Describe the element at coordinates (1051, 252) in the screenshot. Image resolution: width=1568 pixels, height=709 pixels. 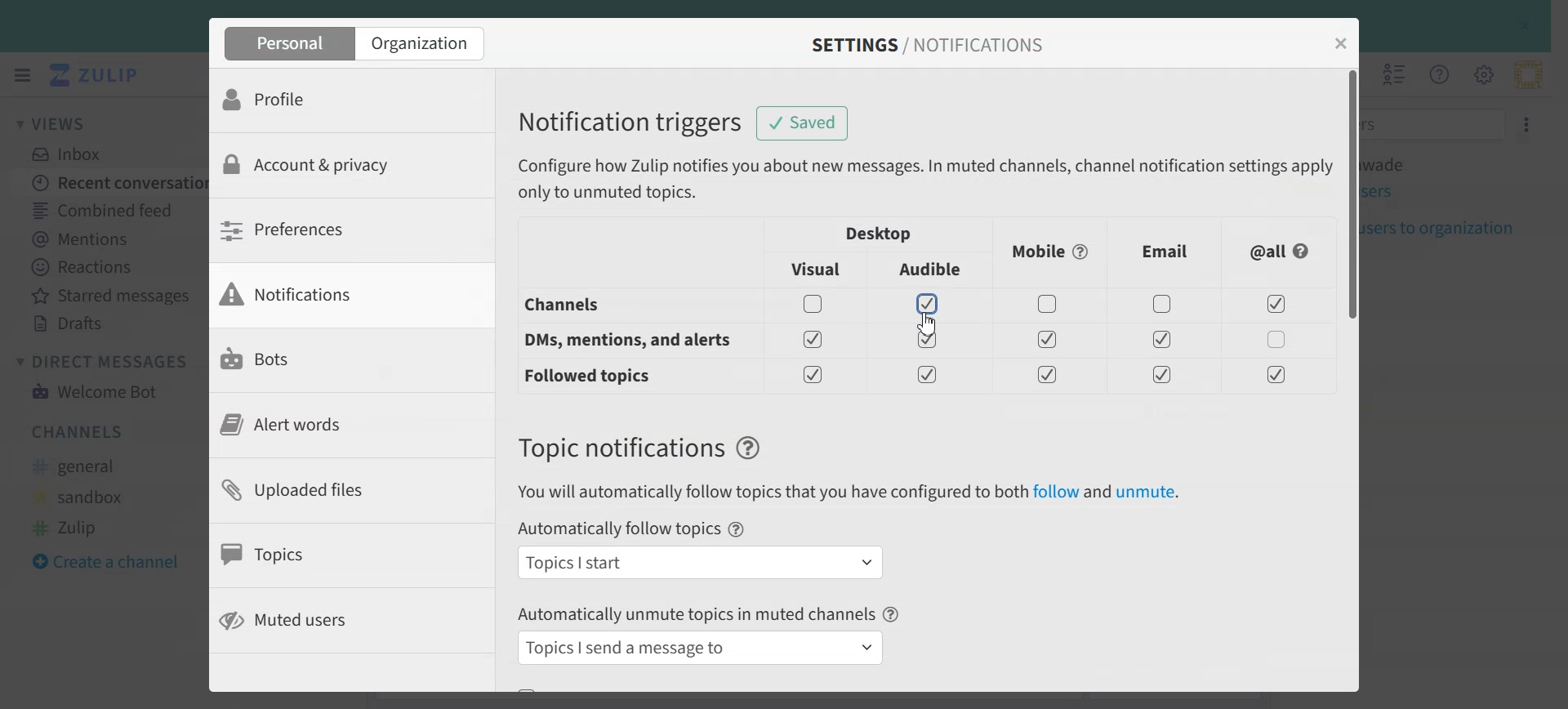
I see `Mobile` at that location.